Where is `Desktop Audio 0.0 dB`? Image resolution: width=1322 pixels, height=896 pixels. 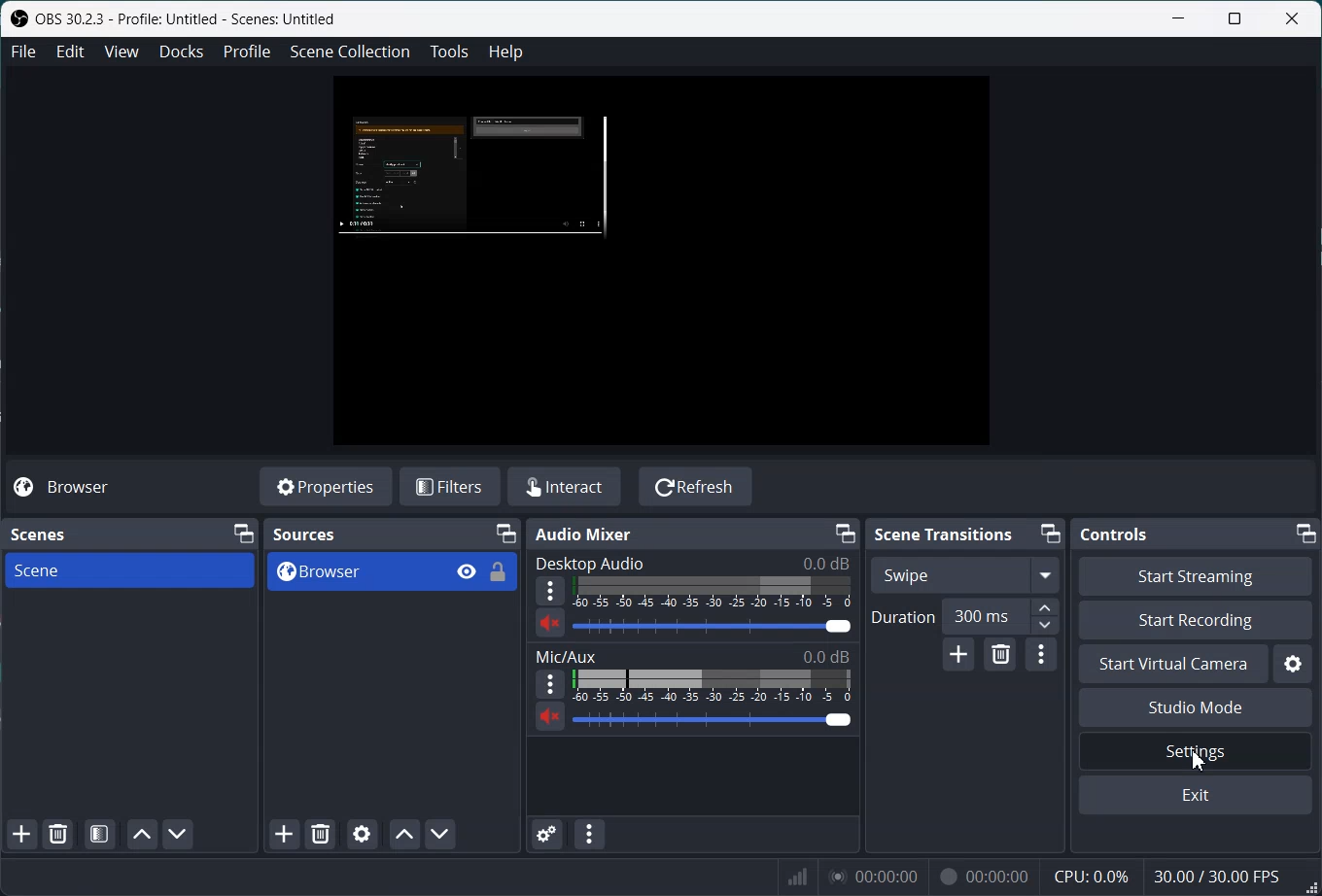
Desktop Audio 0.0 dB is located at coordinates (689, 562).